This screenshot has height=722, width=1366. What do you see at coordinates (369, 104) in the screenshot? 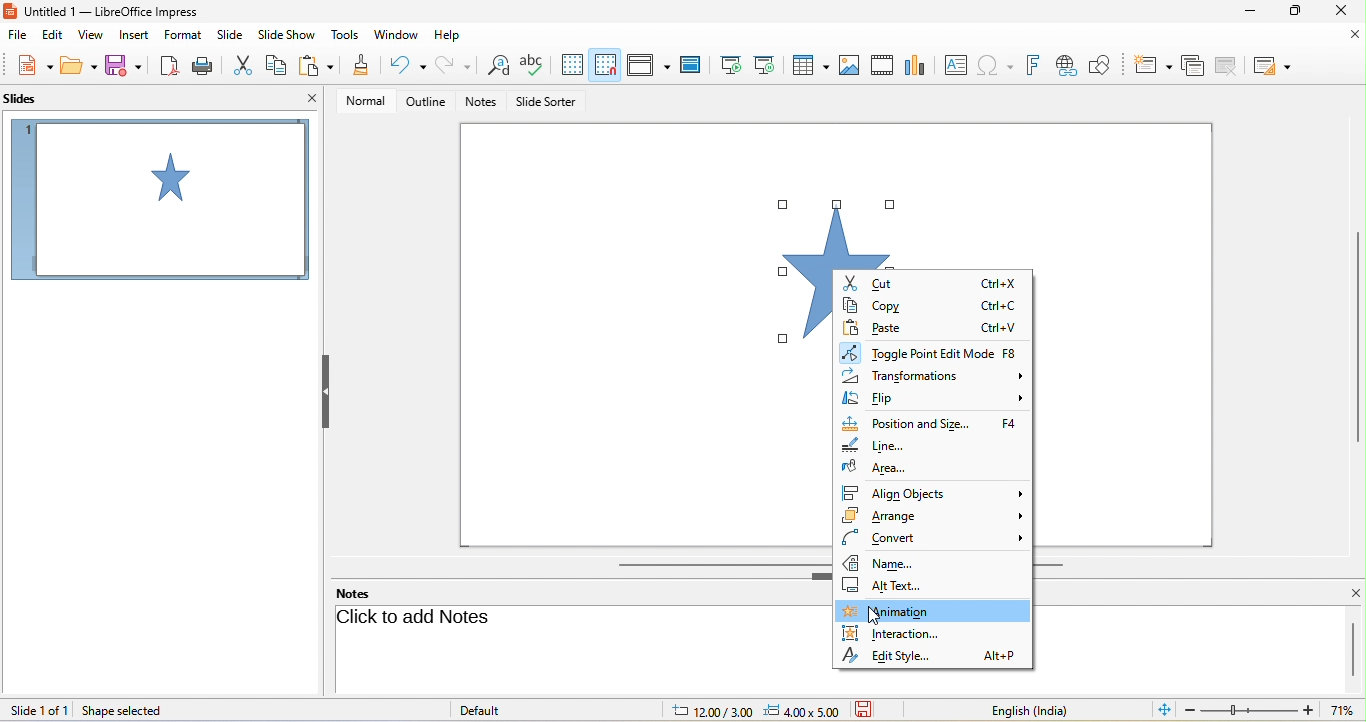
I see `normal` at bounding box center [369, 104].